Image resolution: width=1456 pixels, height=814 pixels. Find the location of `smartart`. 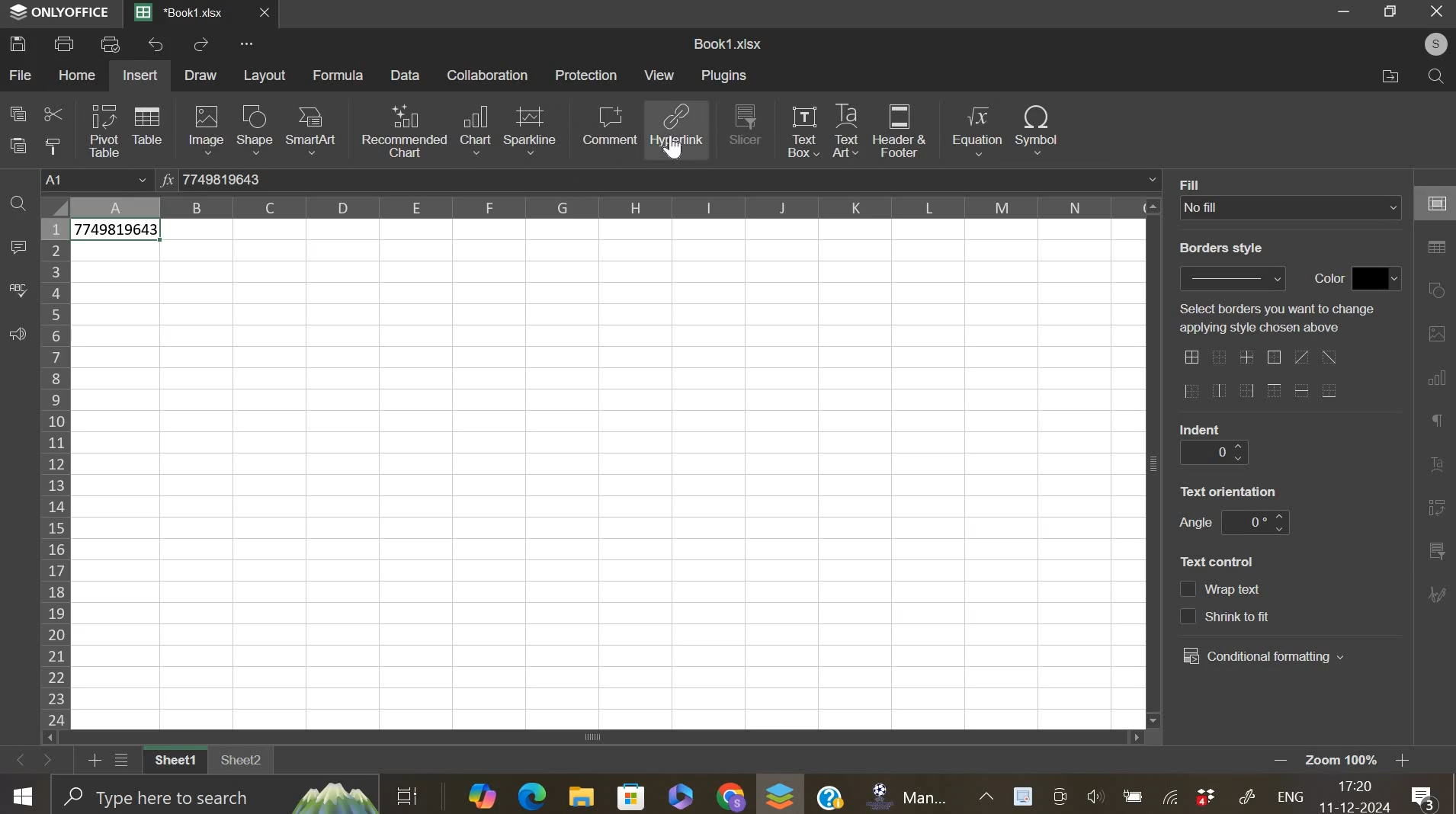

smartart is located at coordinates (309, 129).